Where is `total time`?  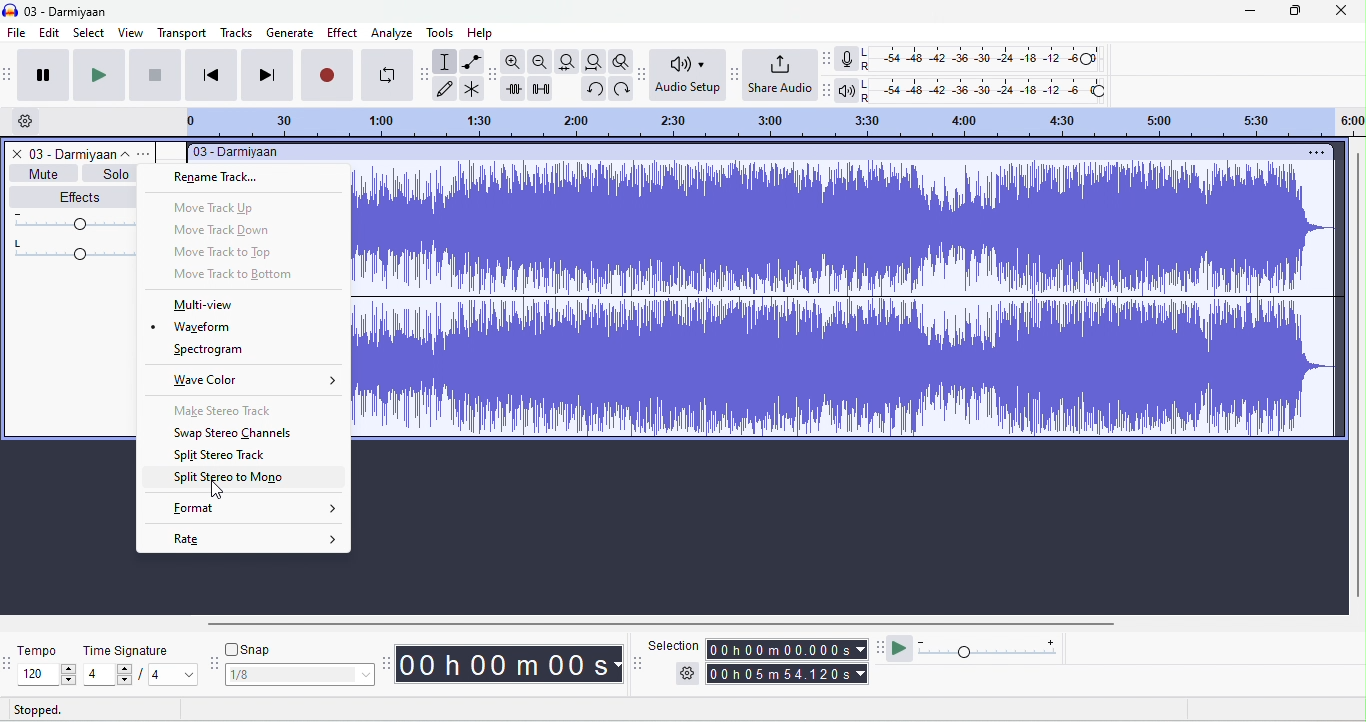
total time is located at coordinates (787, 674).